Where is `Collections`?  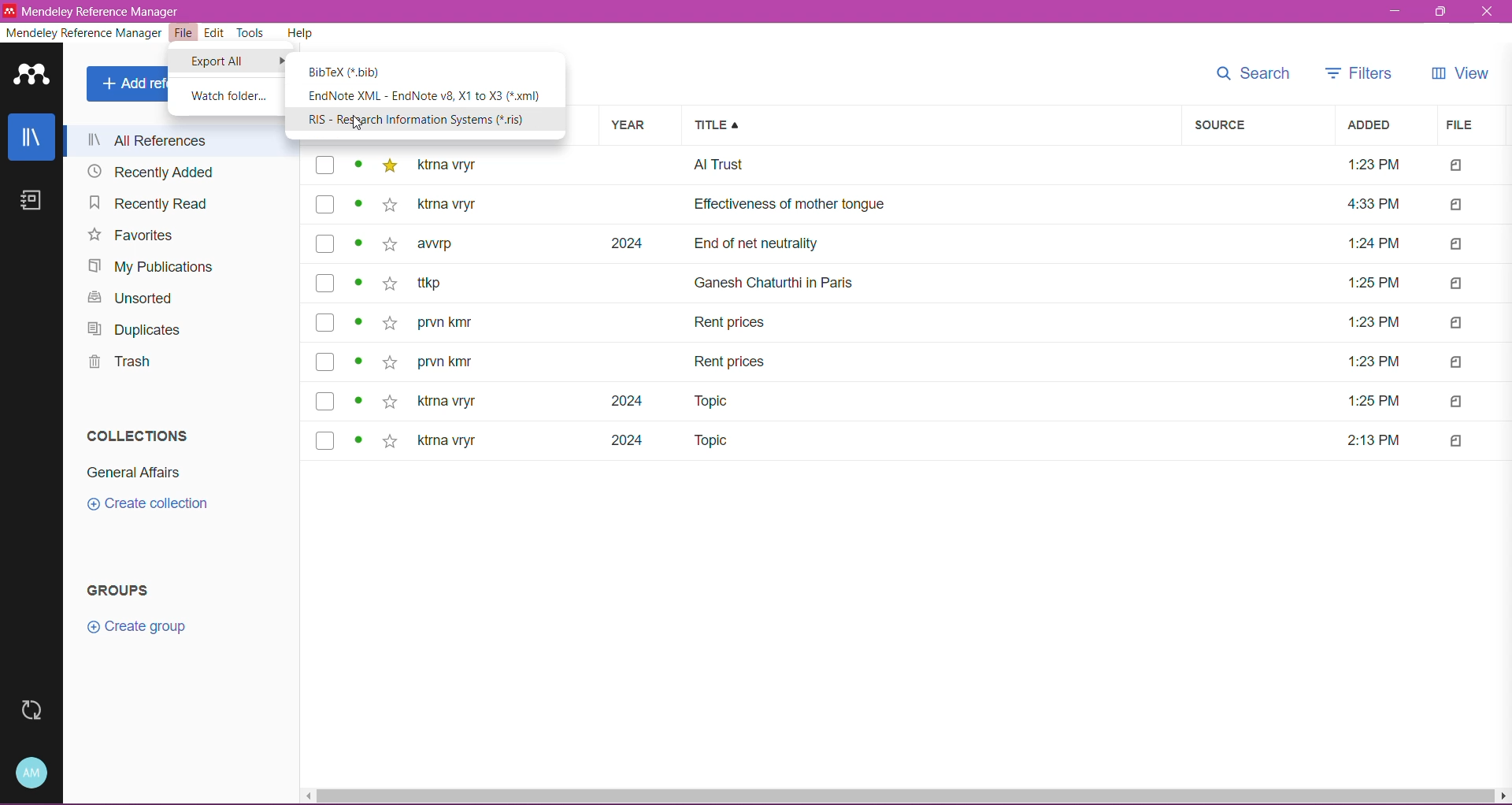 Collections is located at coordinates (139, 436).